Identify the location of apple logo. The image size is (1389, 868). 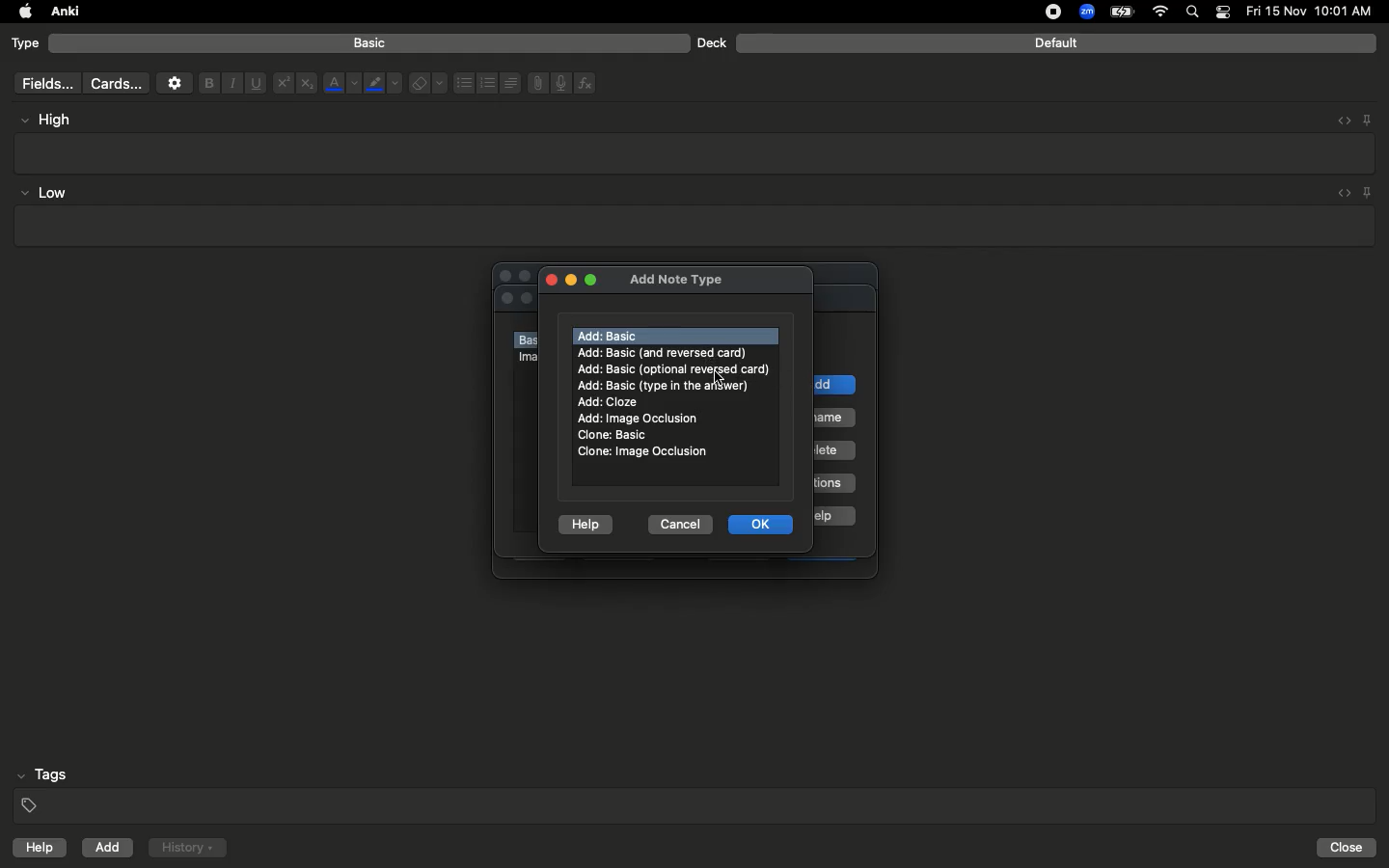
(20, 12).